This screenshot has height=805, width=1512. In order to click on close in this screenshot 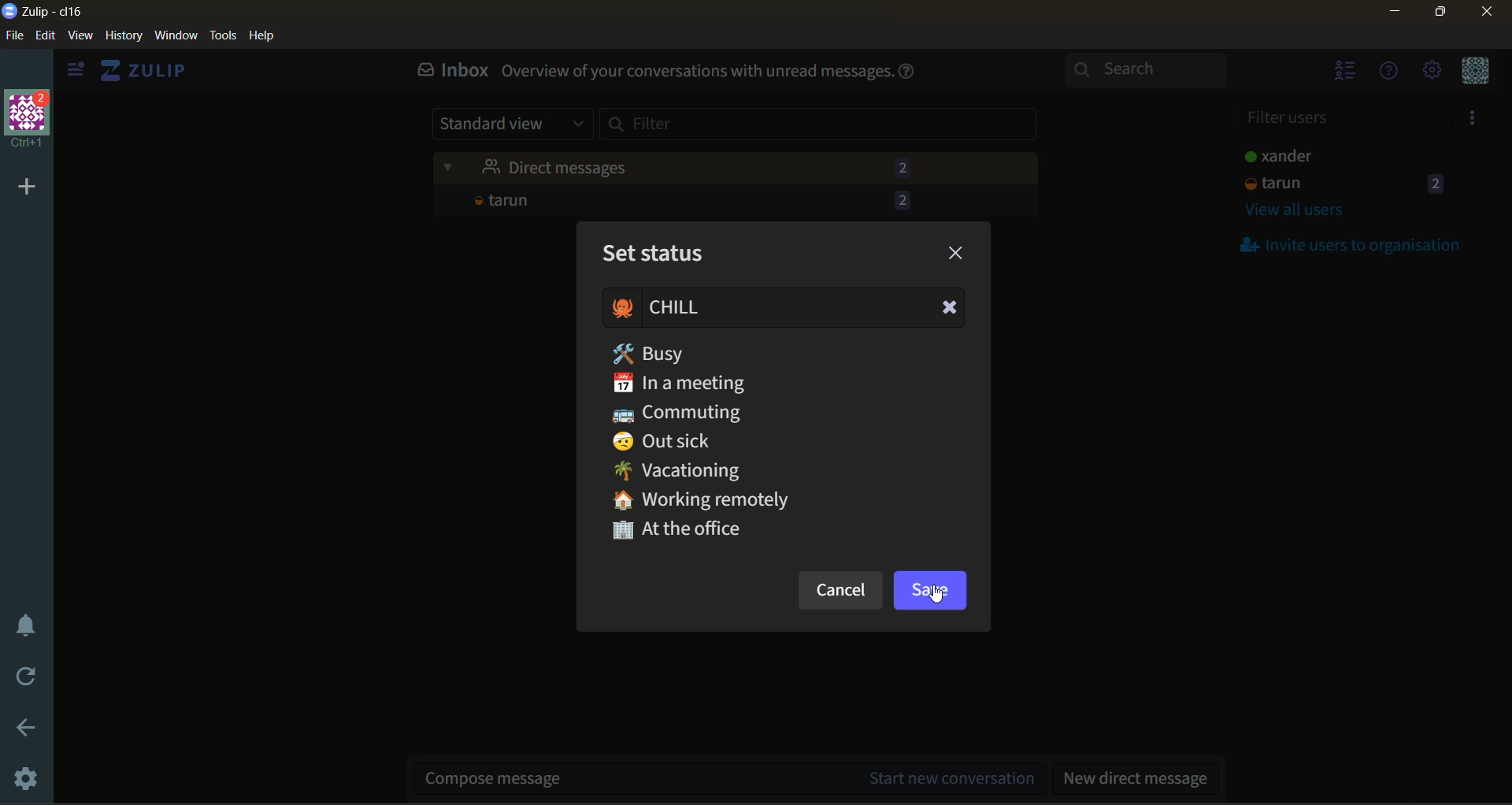, I will do `click(962, 250)`.